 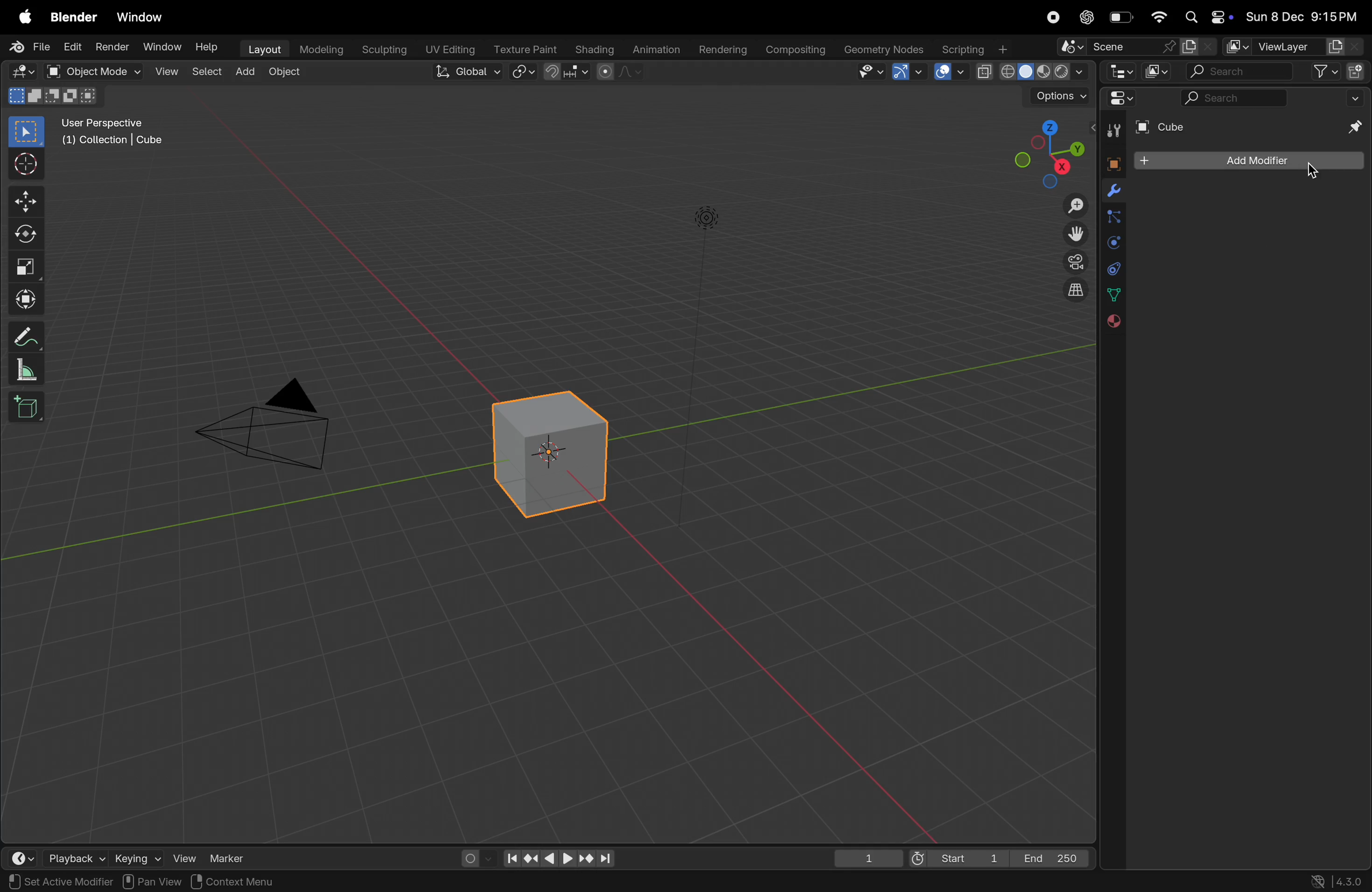 What do you see at coordinates (1162, 127) in the screenshot?
I see `Cube` at bounding box center [1162, 127].